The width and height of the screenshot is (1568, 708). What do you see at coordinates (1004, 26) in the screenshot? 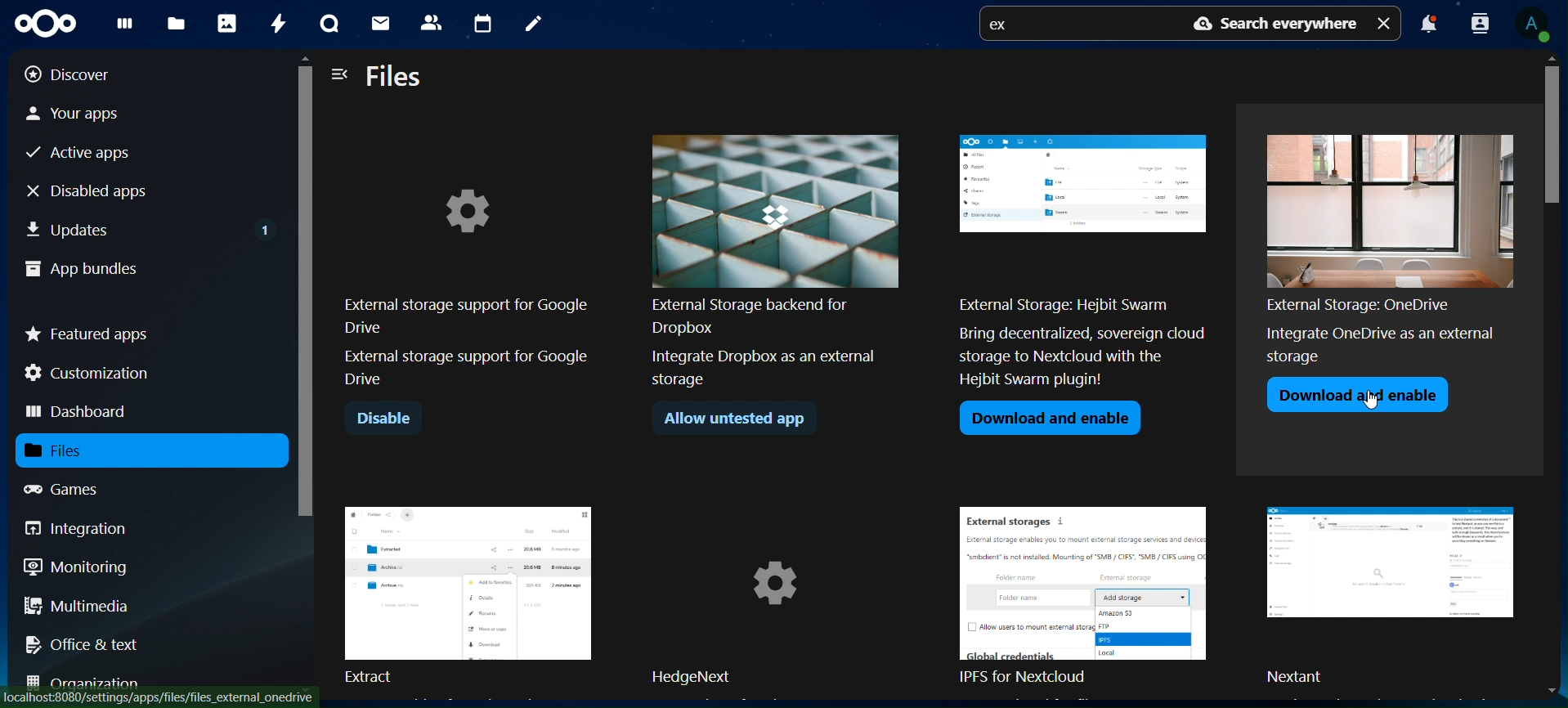
I see `ex` at bounding box center [1004, 26].